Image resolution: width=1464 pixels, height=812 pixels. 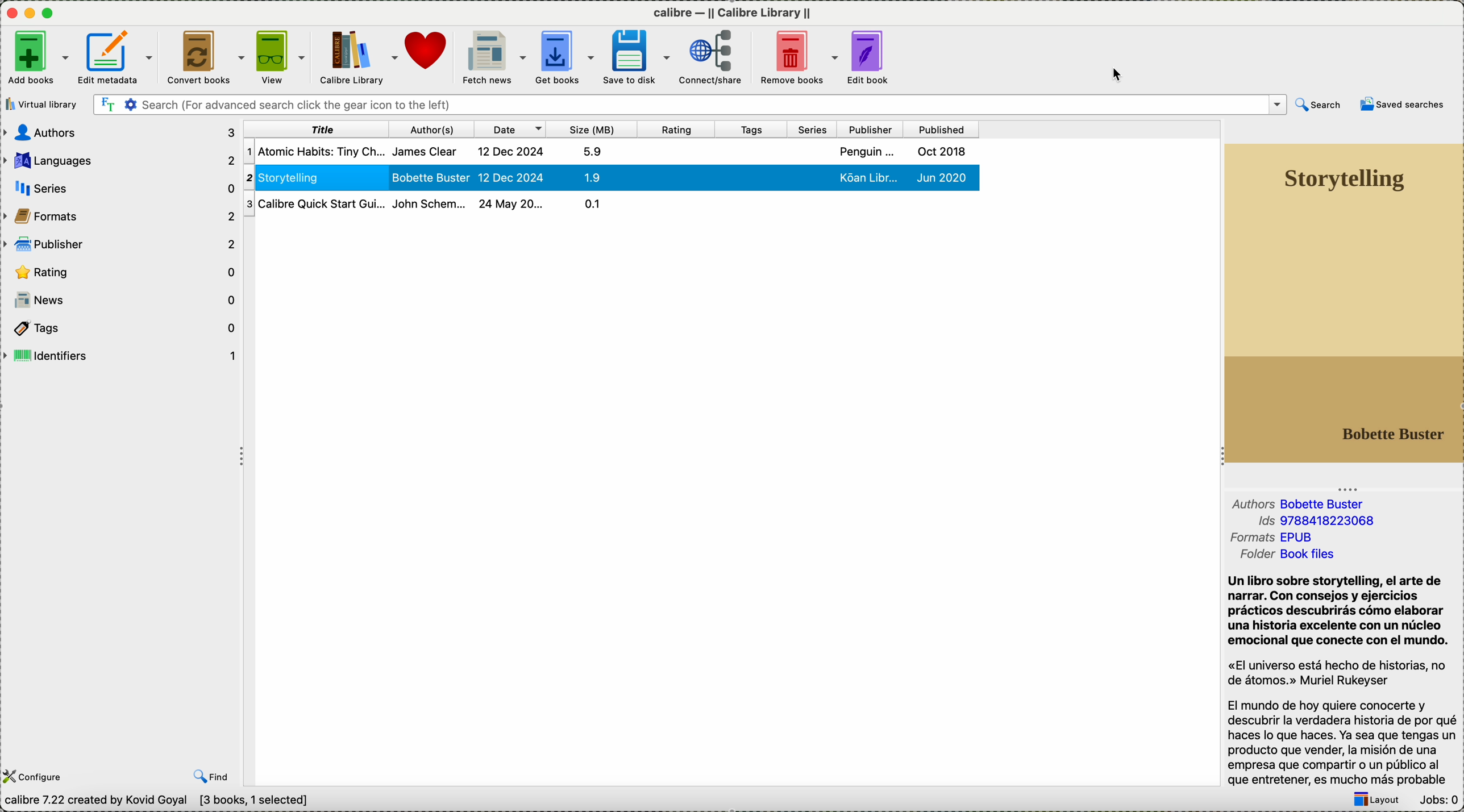 I want to click on calibre library, so click(x=354, y=57).